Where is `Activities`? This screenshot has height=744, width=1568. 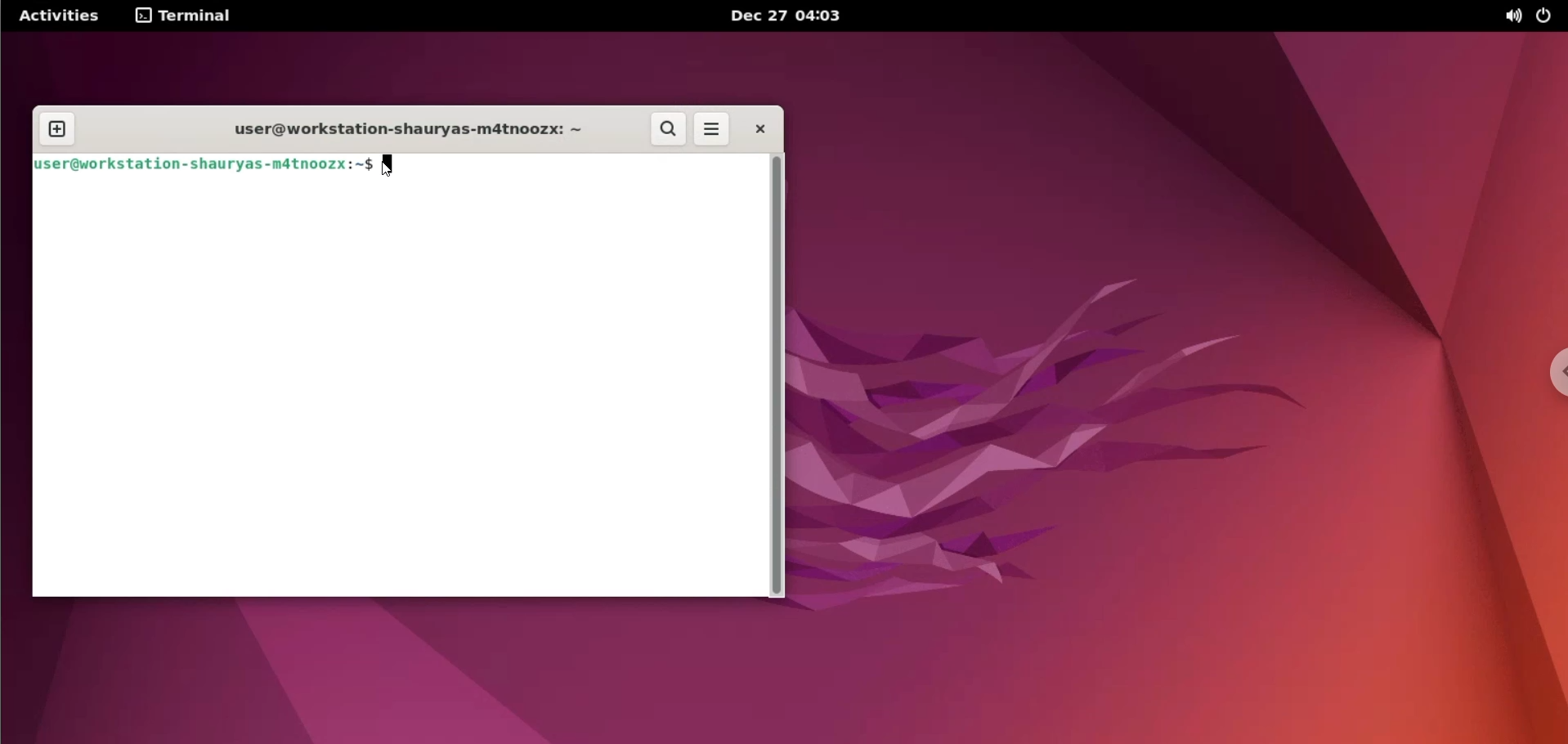 Activities is located at coordinates (56, 16).